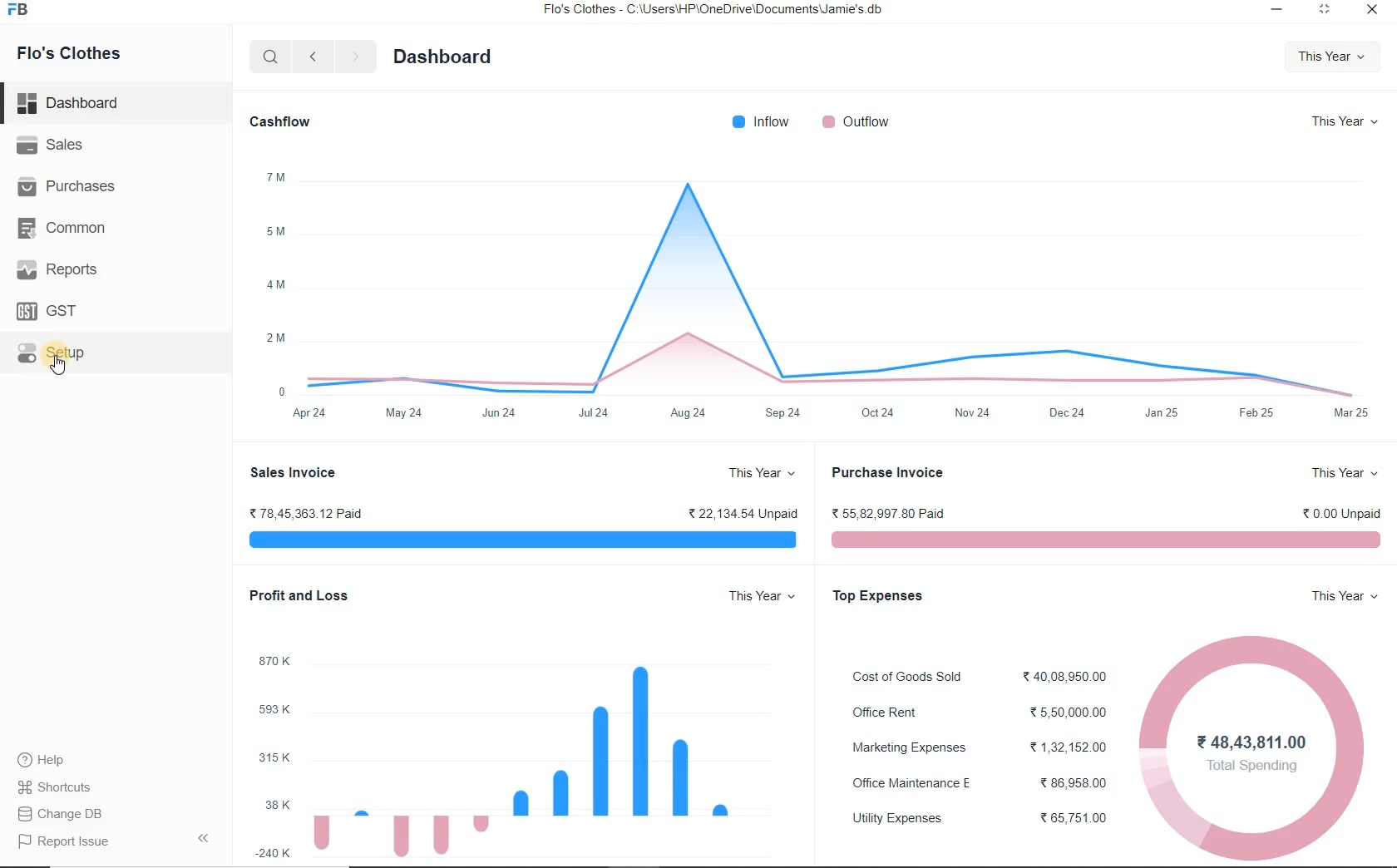 The height and width of the screenshot is (868, 1397). What do you see at coordinates (59, 814) in the screenshot?
I see `Change DB` at bounding box center [59, 814].